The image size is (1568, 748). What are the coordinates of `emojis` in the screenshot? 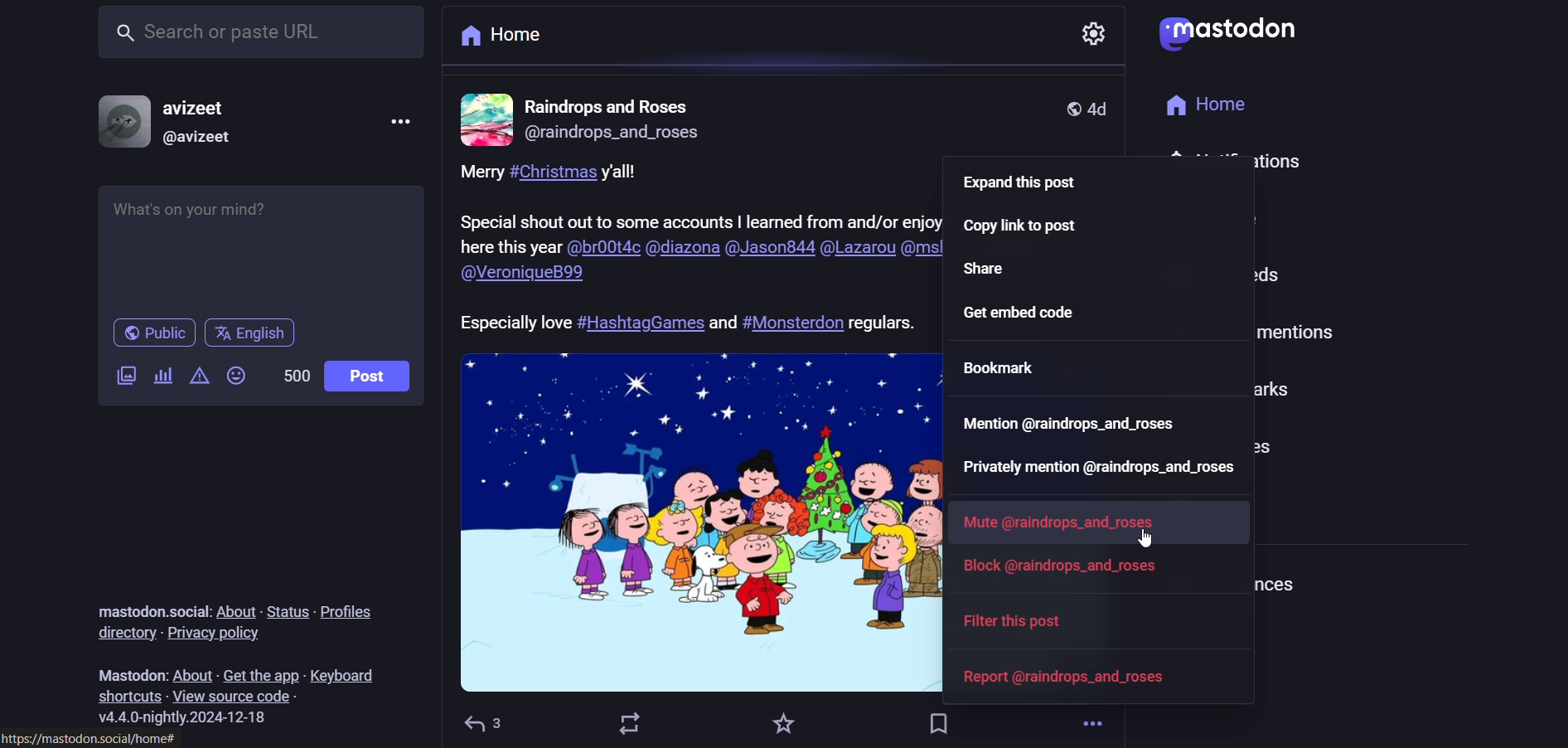 It's located at (238, 377).